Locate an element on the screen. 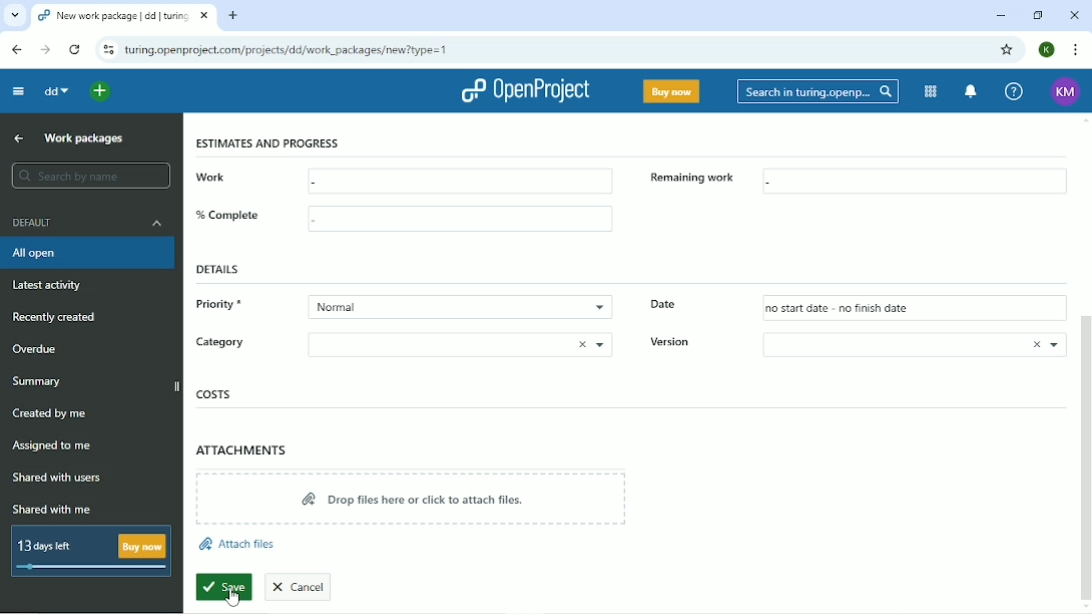 The image size is (1092, 614). Back is located at coordinates (18, 140).